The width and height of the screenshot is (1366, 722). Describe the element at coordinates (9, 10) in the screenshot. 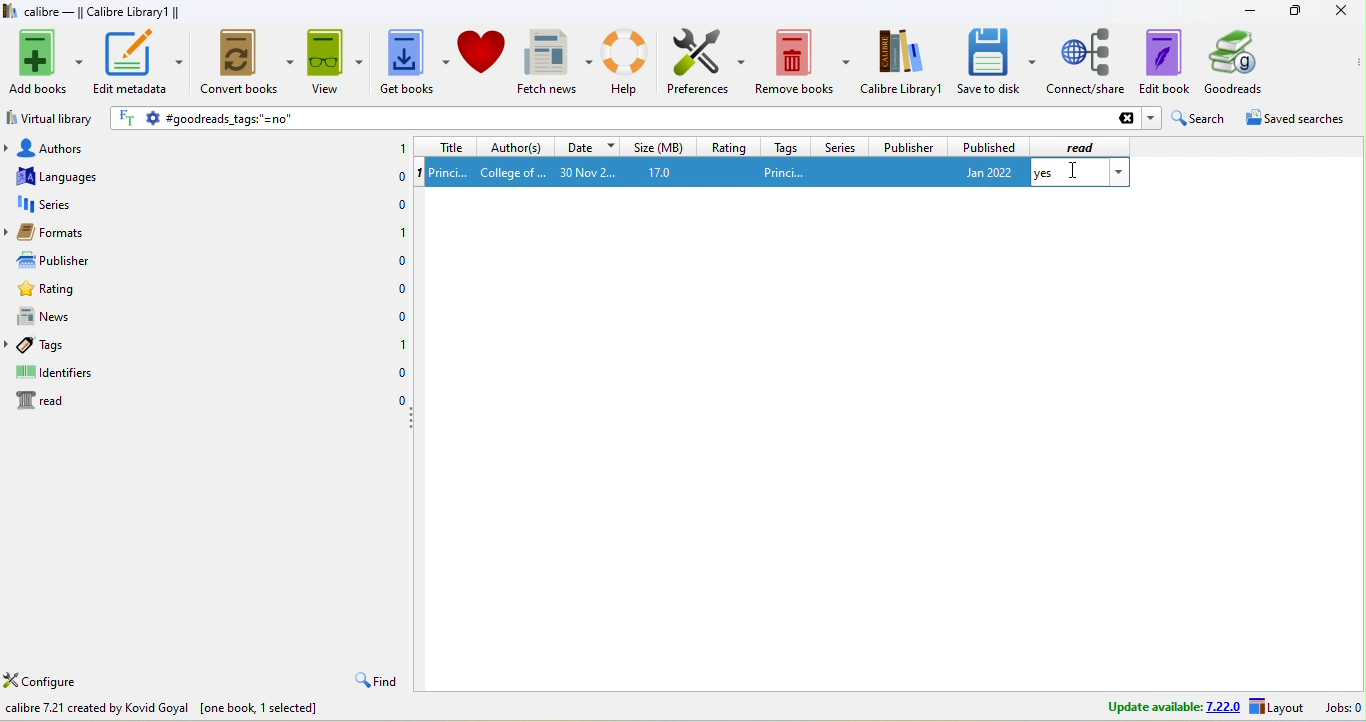

I see `logo` at that location.